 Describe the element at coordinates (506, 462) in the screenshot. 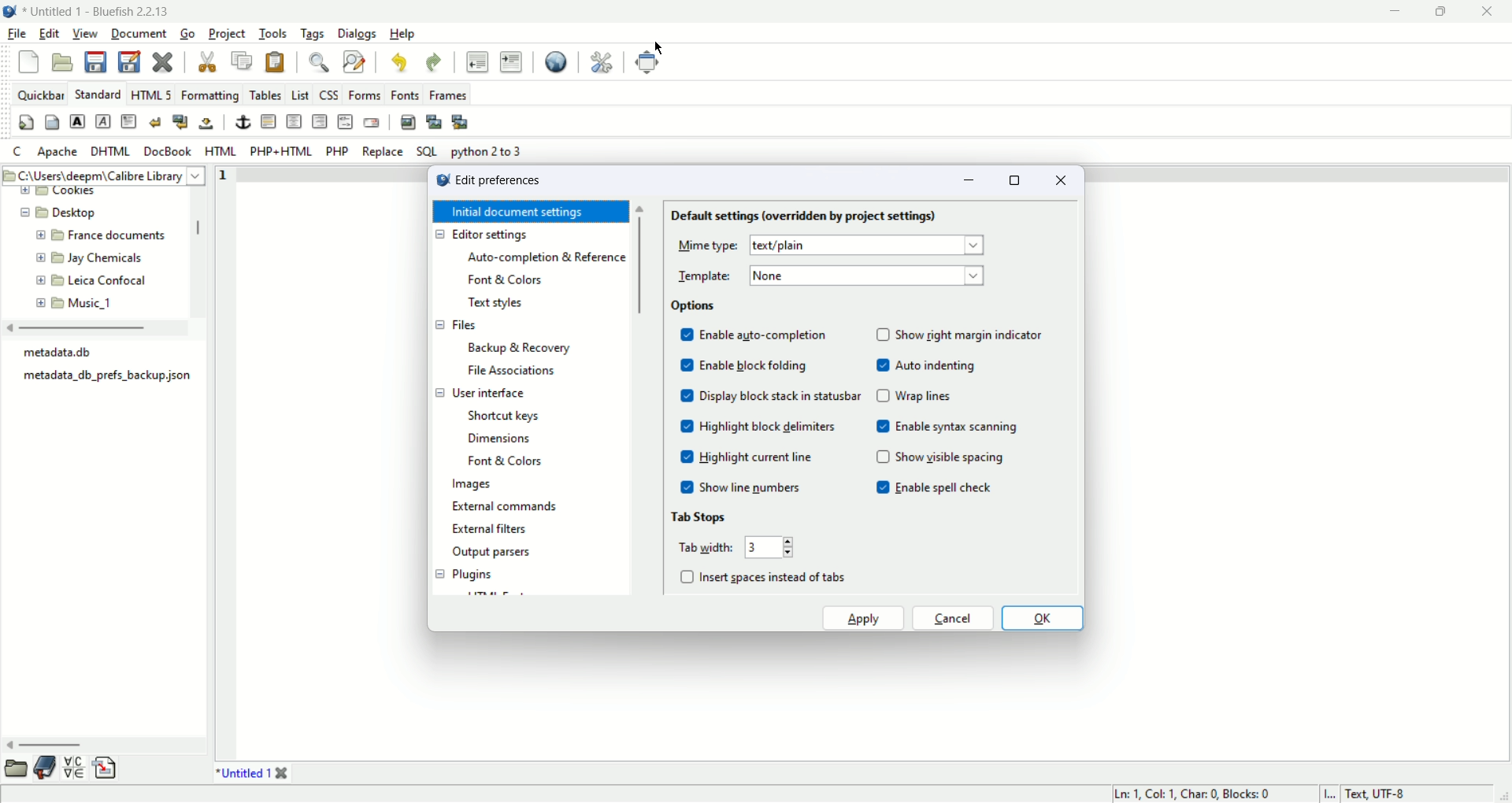

I see `Font and Colors` at that location.